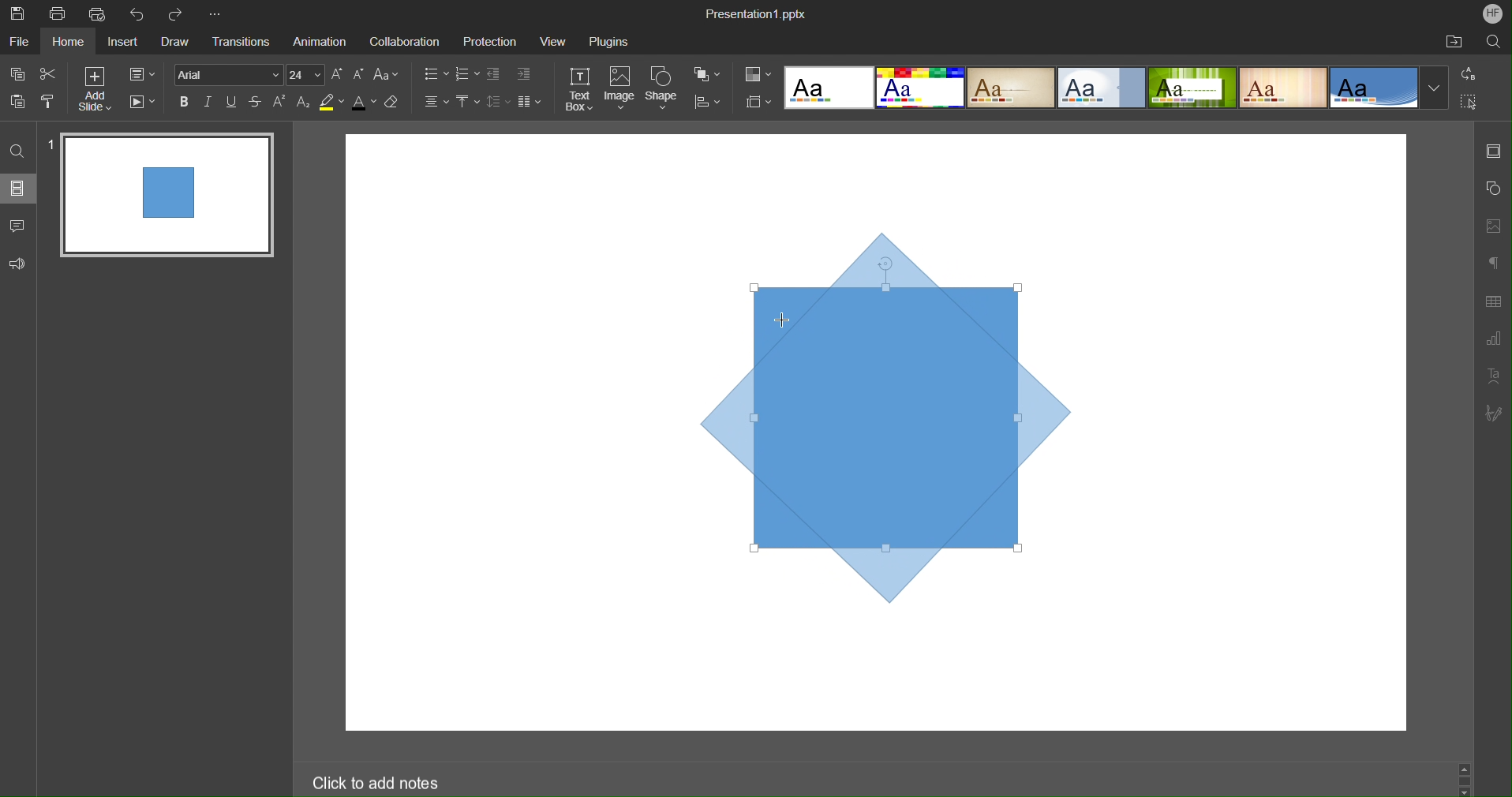  Describe the element at coordinates (885, 410) in the screenshot. I see `Shape (Rotating)` at that location.